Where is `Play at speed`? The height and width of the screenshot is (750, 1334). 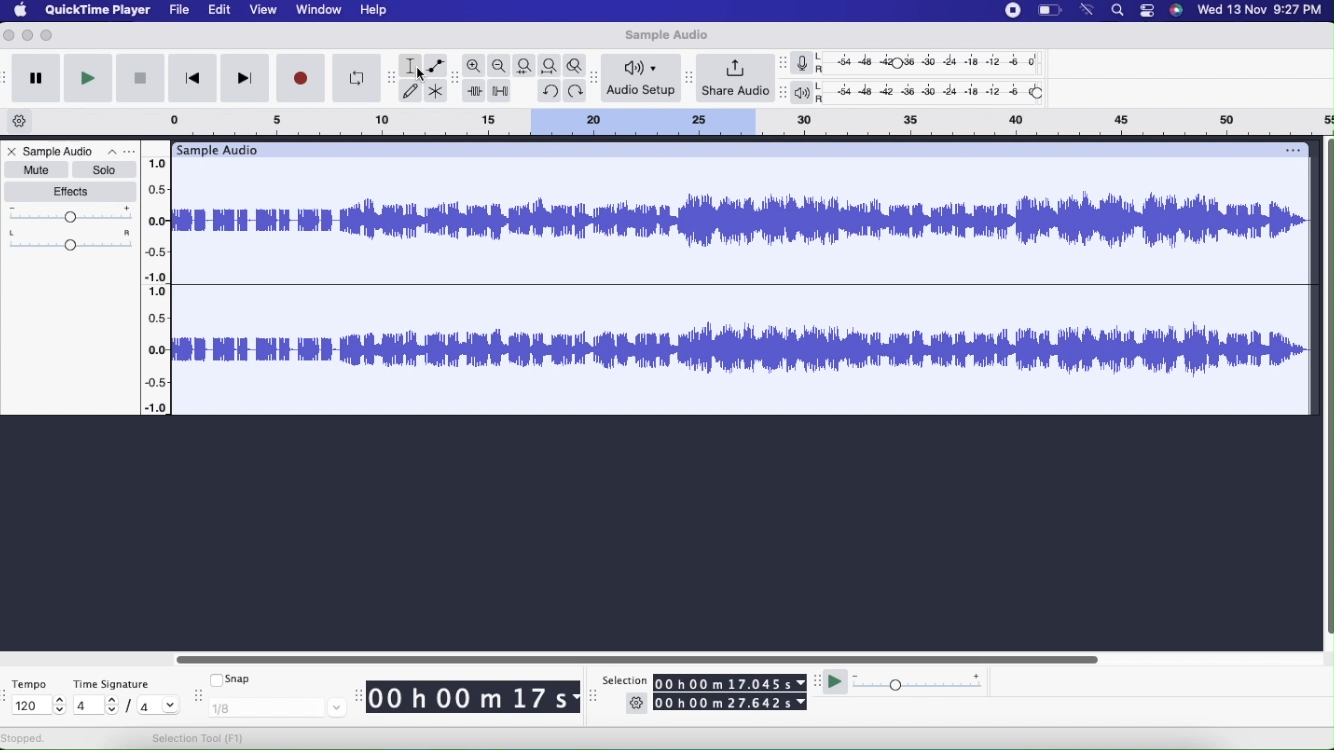
Play at speed is located at coordinates (837, 685).